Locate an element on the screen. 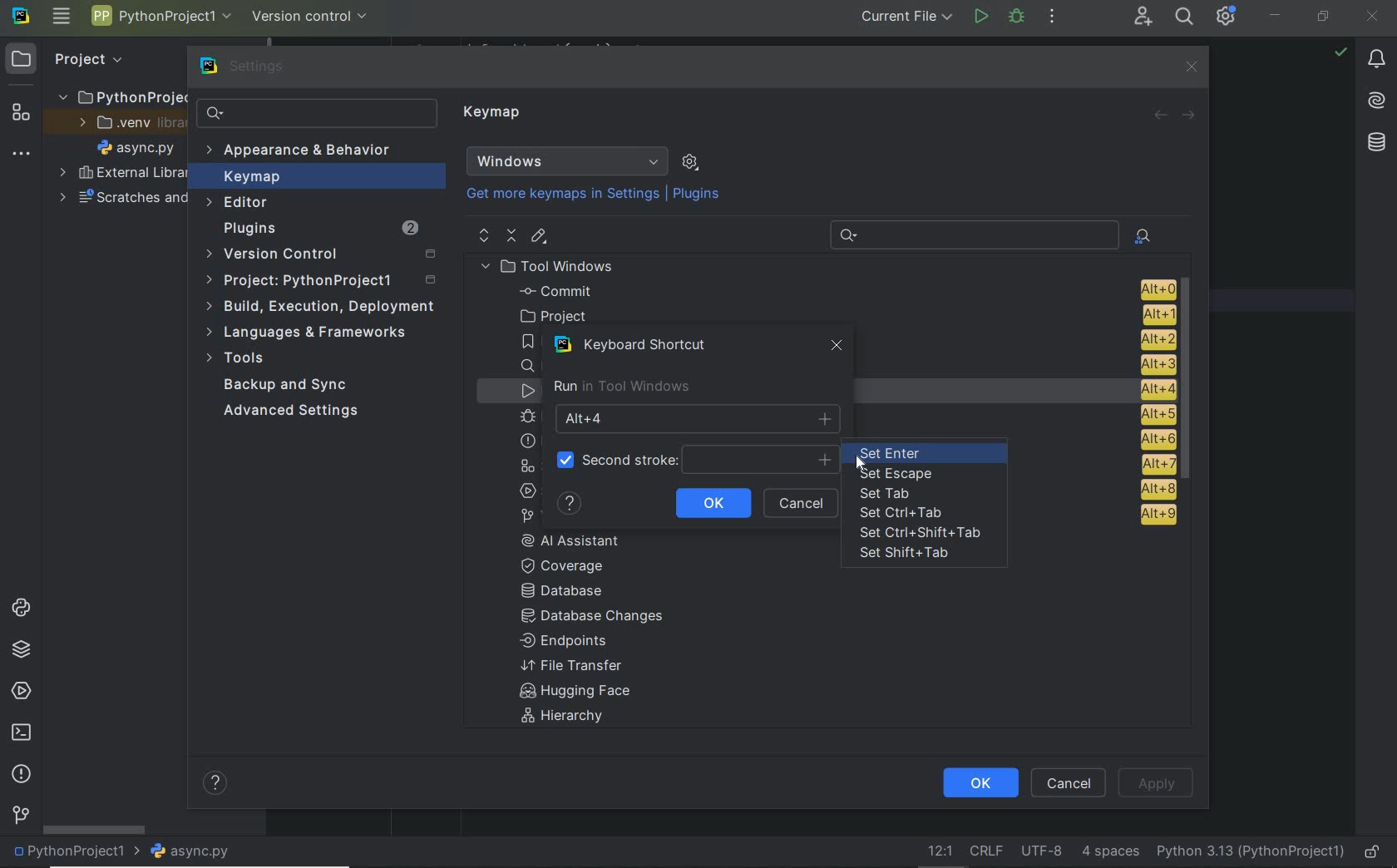 The width and height of the screenshot is (1397, 868). make file ready only is located at coordinates (1372, 853).